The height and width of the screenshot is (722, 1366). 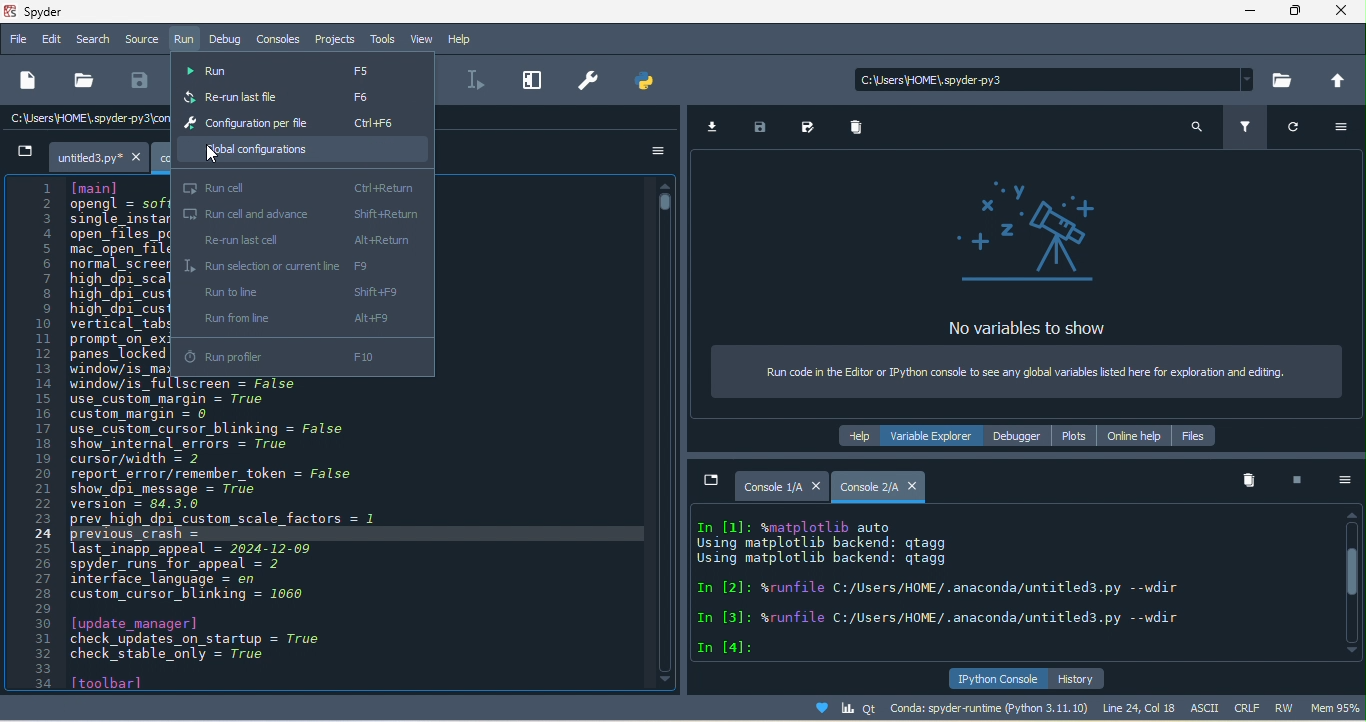 I want to click on title, so click(x=47, y=13).